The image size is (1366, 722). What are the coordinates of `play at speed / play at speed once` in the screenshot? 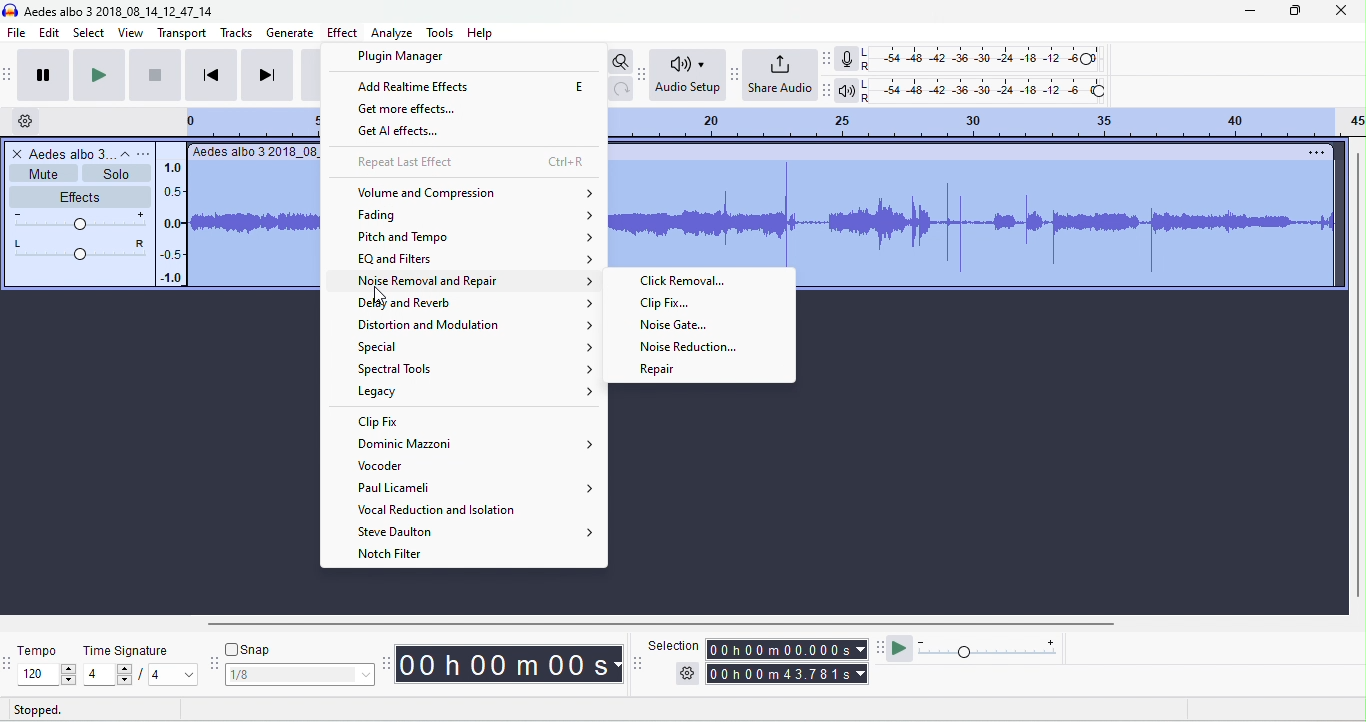 It's located at (899, 650).